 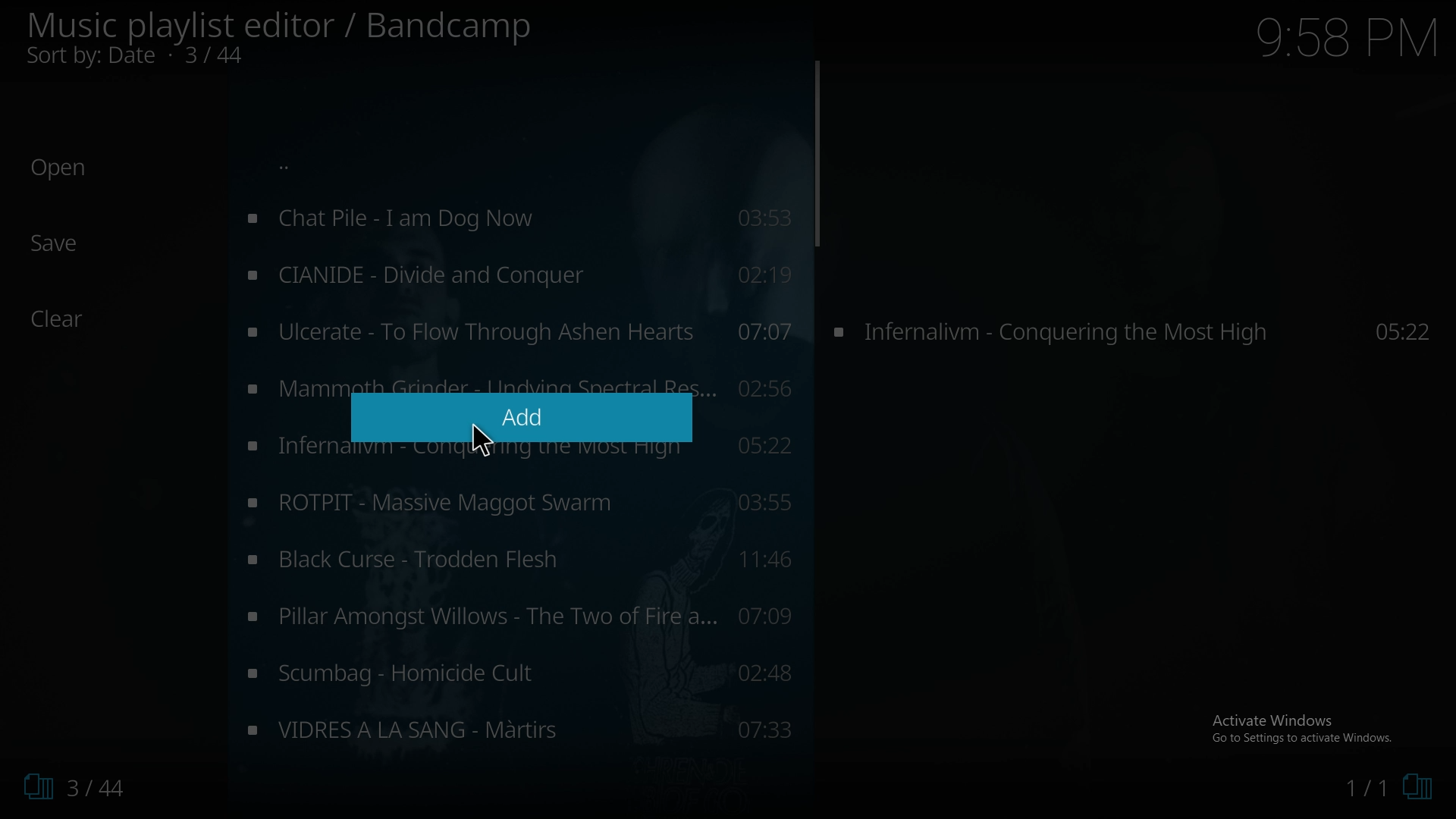 I want to click on music, so click(x=521, y=673).